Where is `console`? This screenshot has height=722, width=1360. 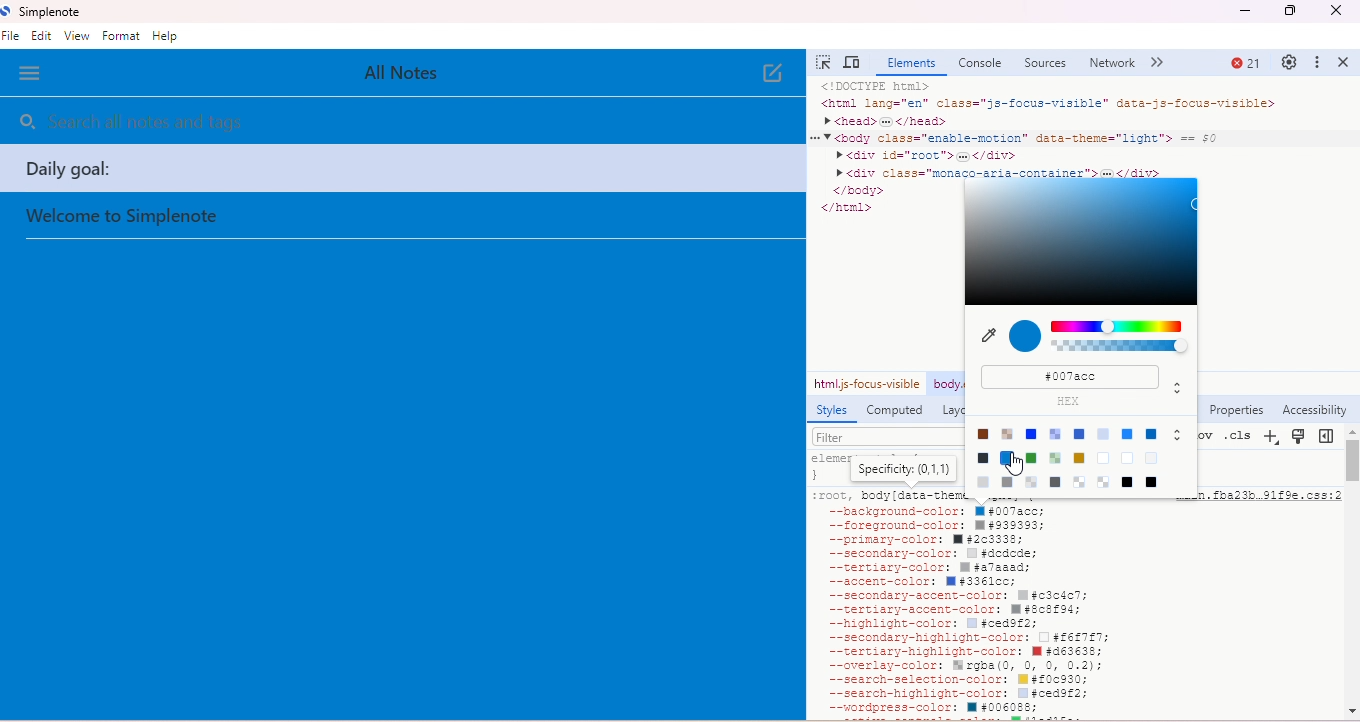 console is located at coordinates (980, 63).